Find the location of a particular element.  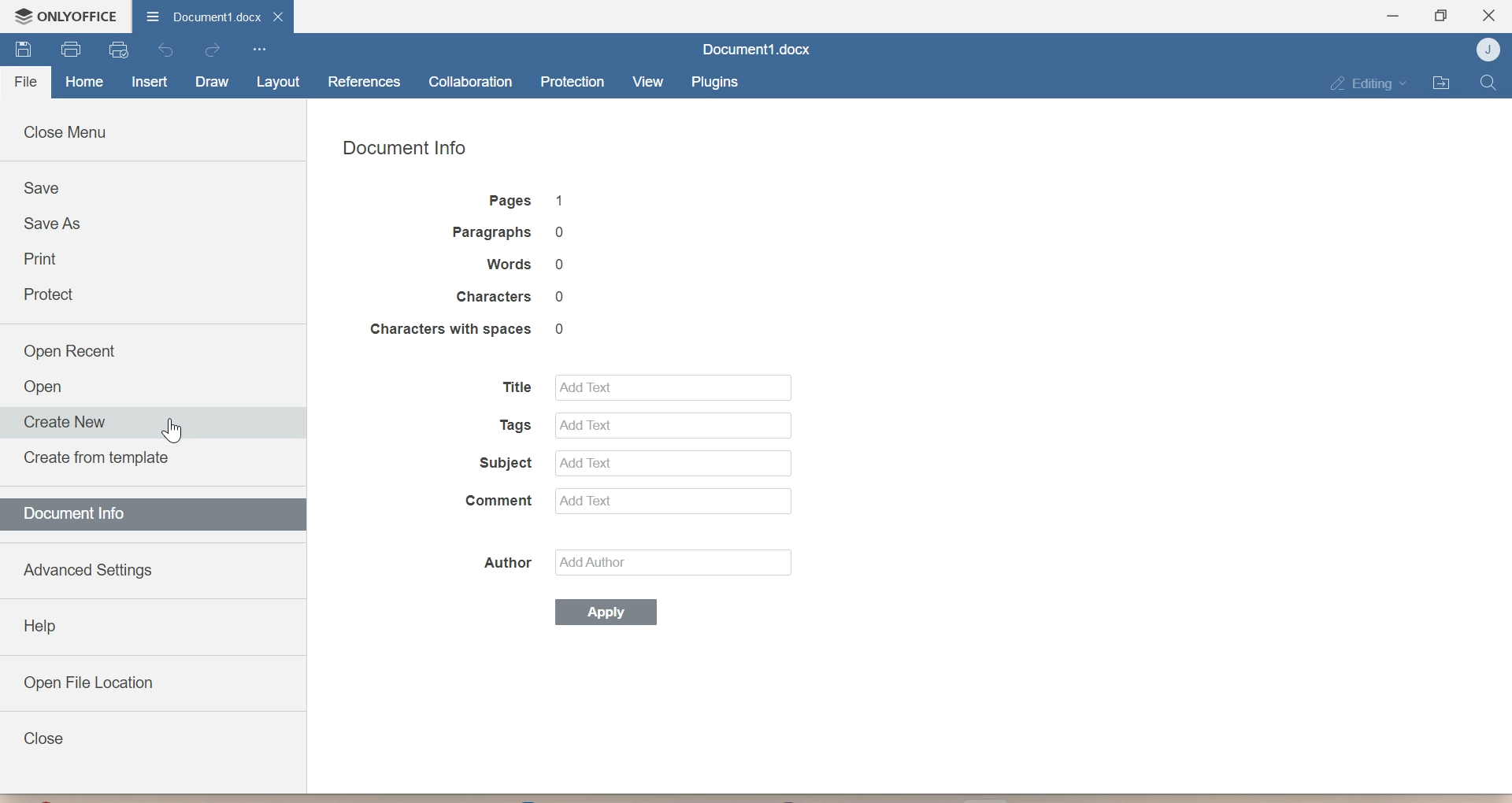

Create new is located at coordinates (67, 421).